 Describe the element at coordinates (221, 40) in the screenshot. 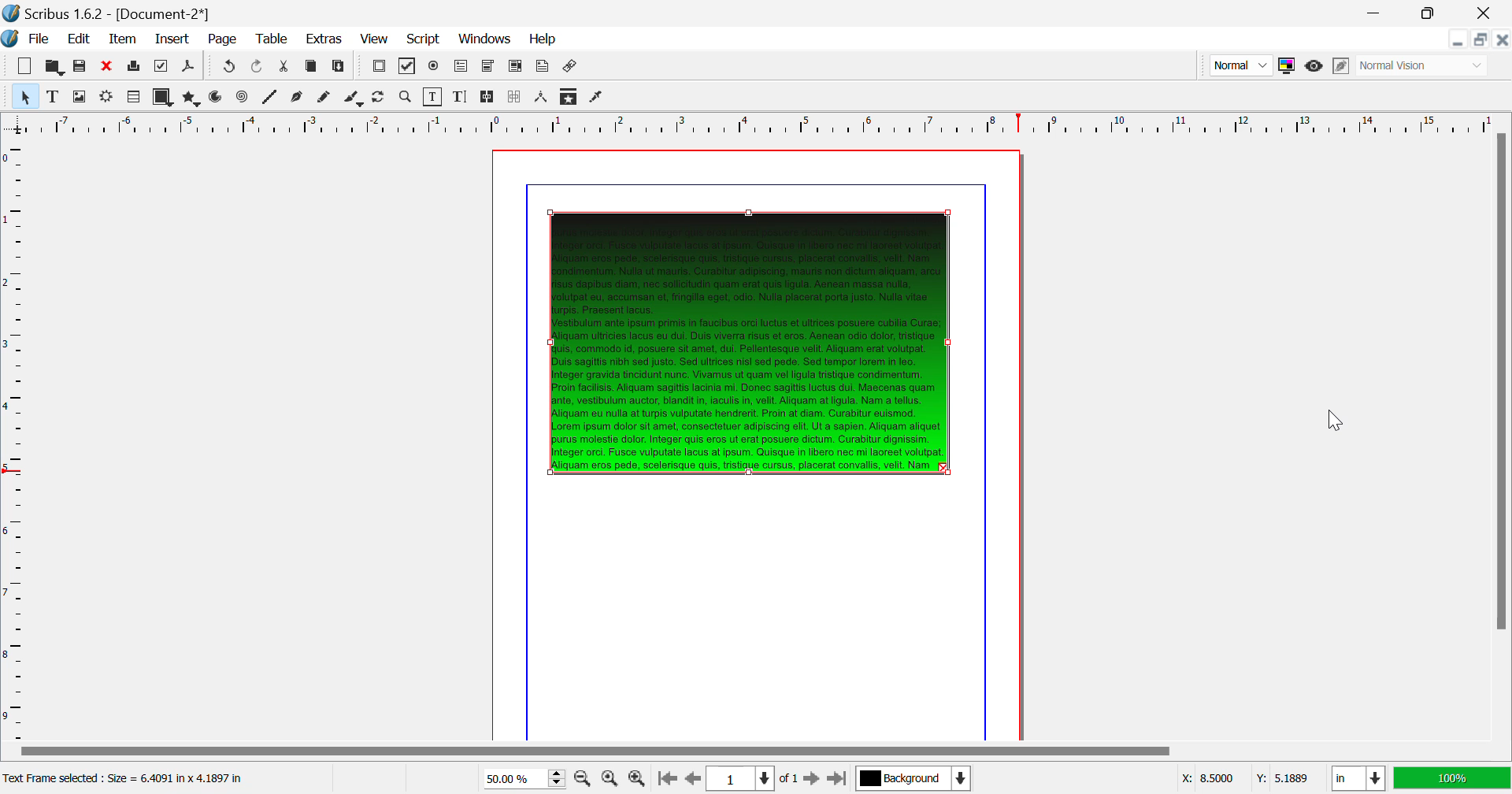

I see `Page` at that location.